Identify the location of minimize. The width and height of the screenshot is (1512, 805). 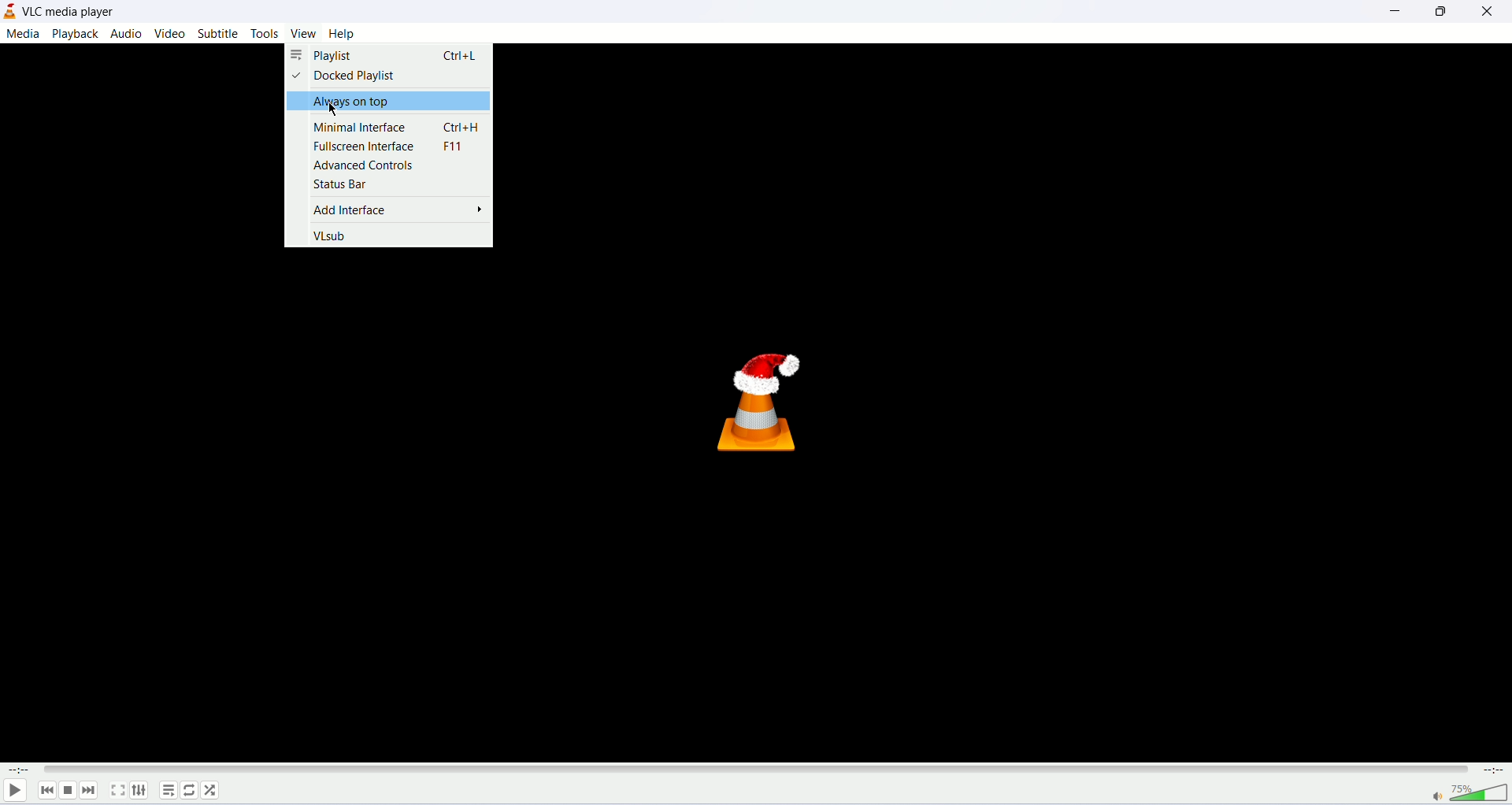
(1392, 11).